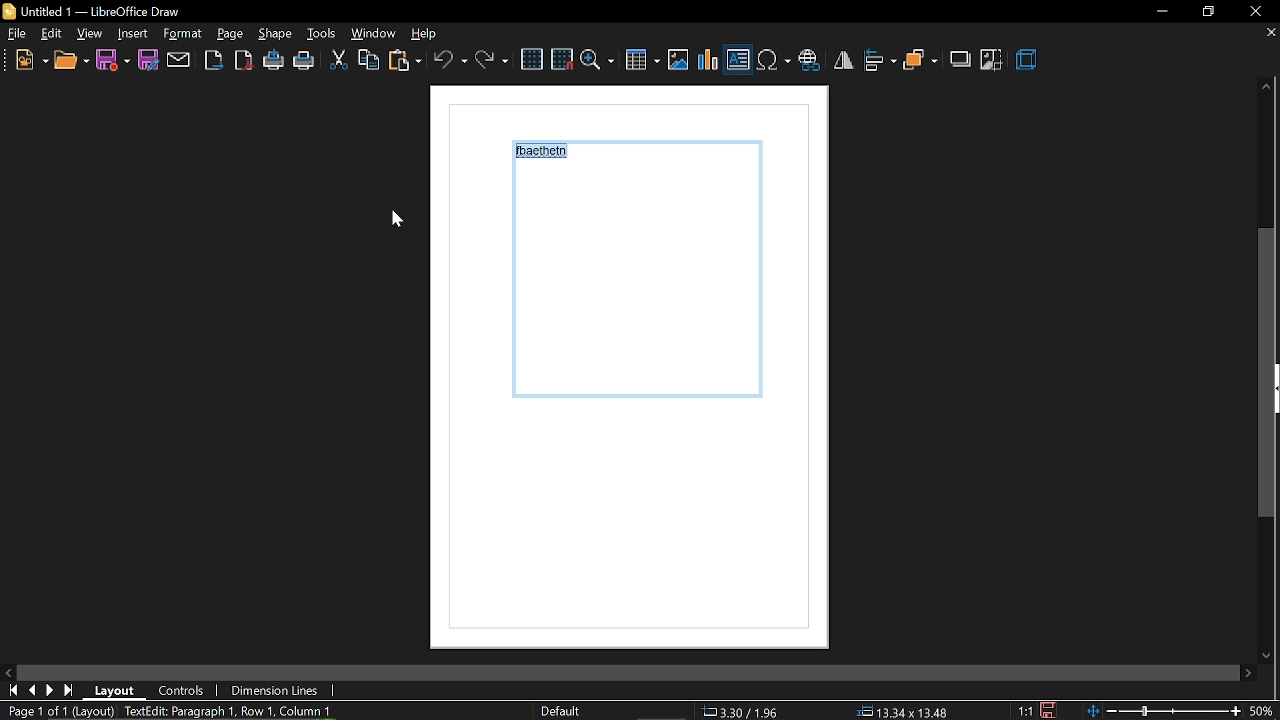  Describe the element at coordinates (646, 375) in the screenshot. I see `Current page` at that location.